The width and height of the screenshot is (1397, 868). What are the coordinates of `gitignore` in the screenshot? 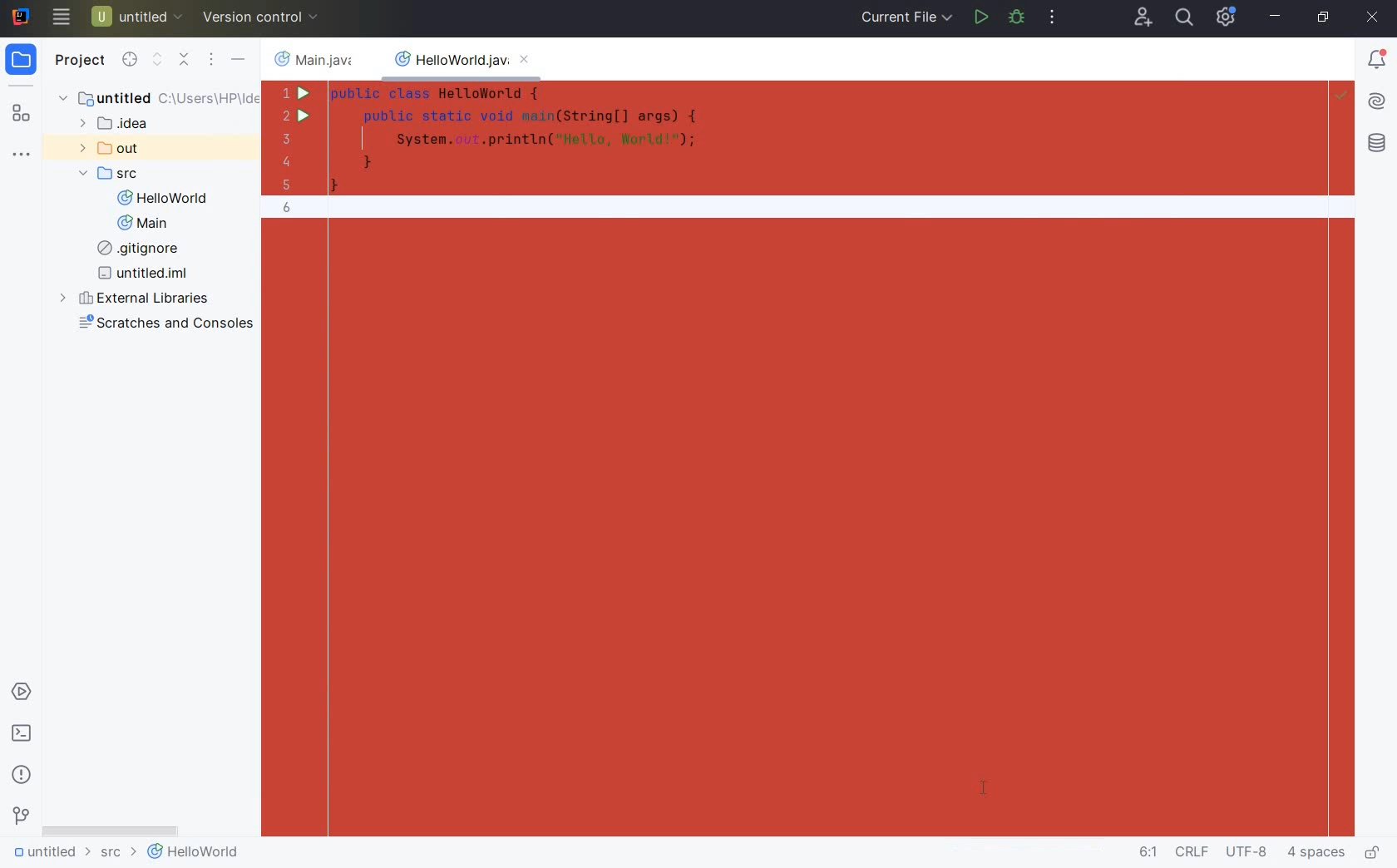 It's located at (136, 250).